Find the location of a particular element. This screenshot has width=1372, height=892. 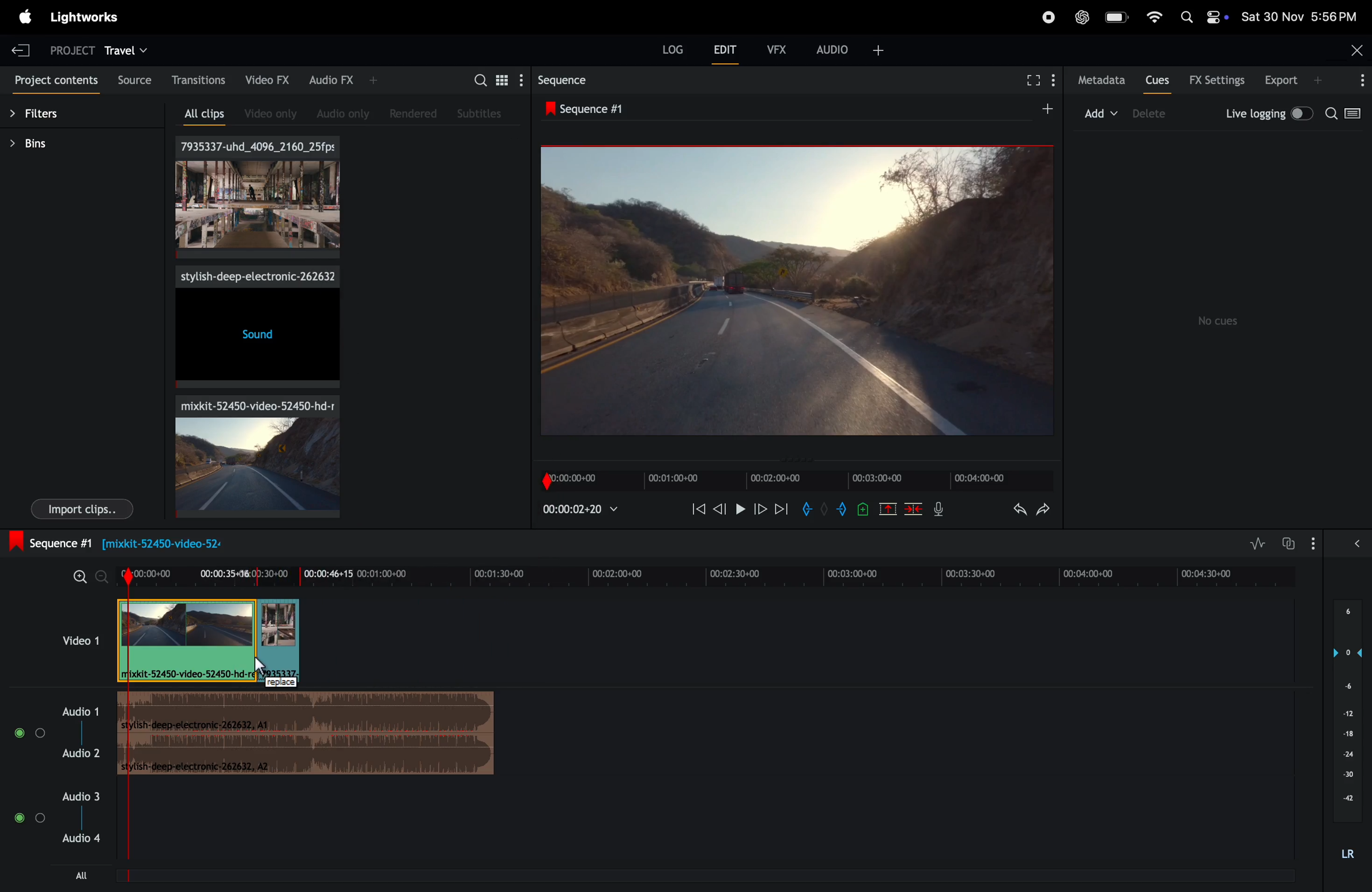

rewind is located at coordinates (696, 508).